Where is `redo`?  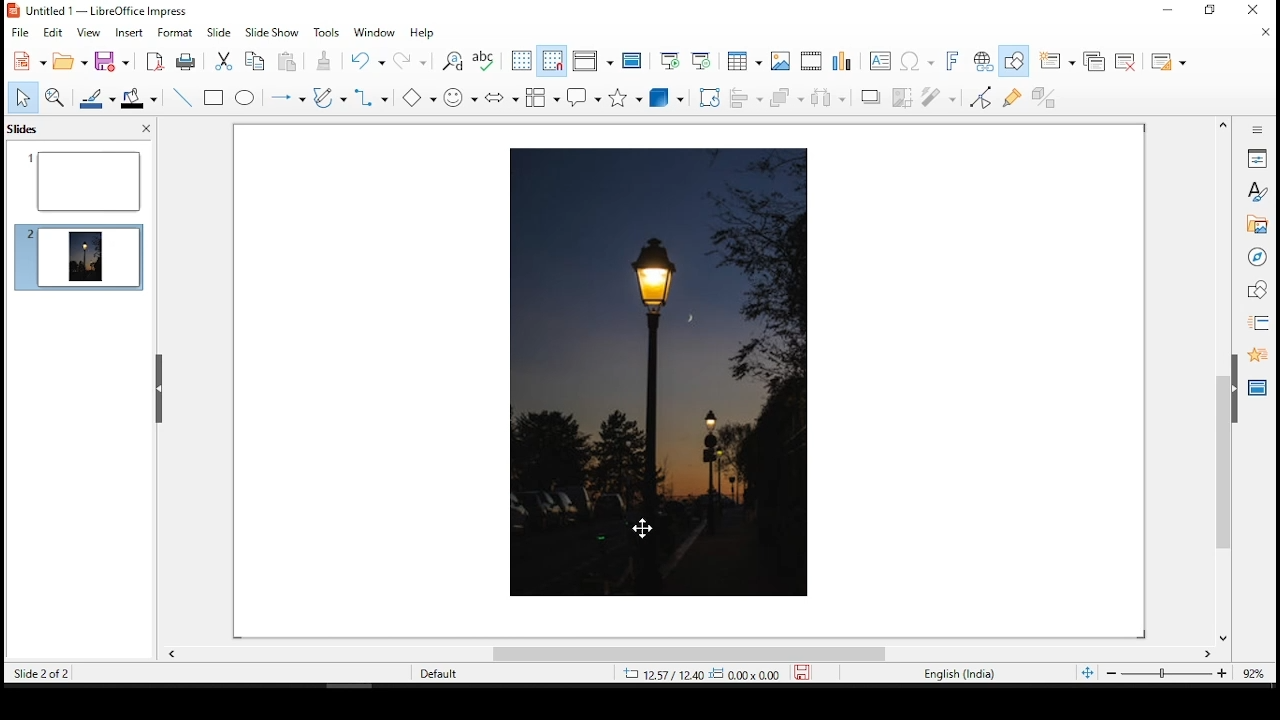
redo is located at coordinates (410, 59).